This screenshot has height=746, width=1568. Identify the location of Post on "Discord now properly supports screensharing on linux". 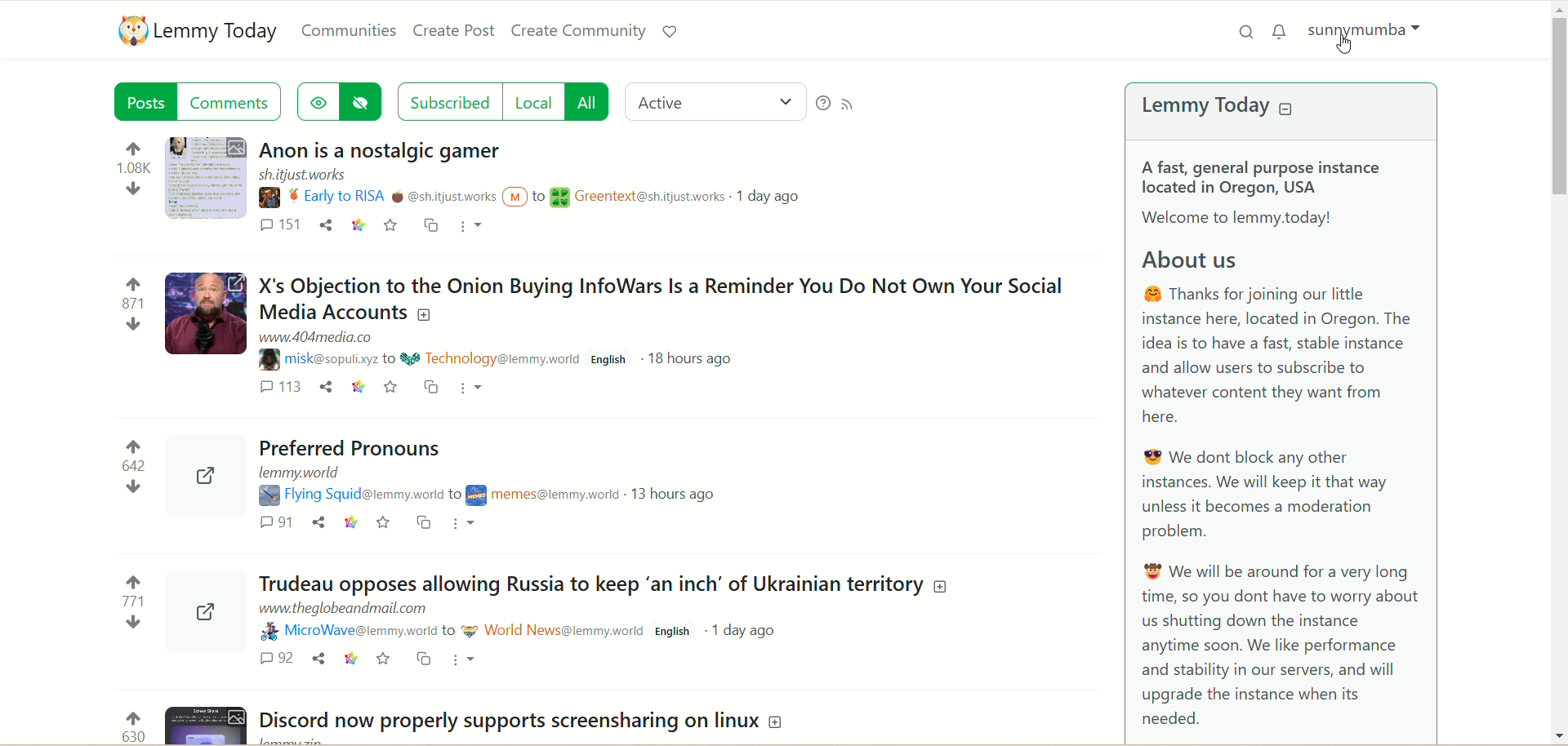
(528, 722).